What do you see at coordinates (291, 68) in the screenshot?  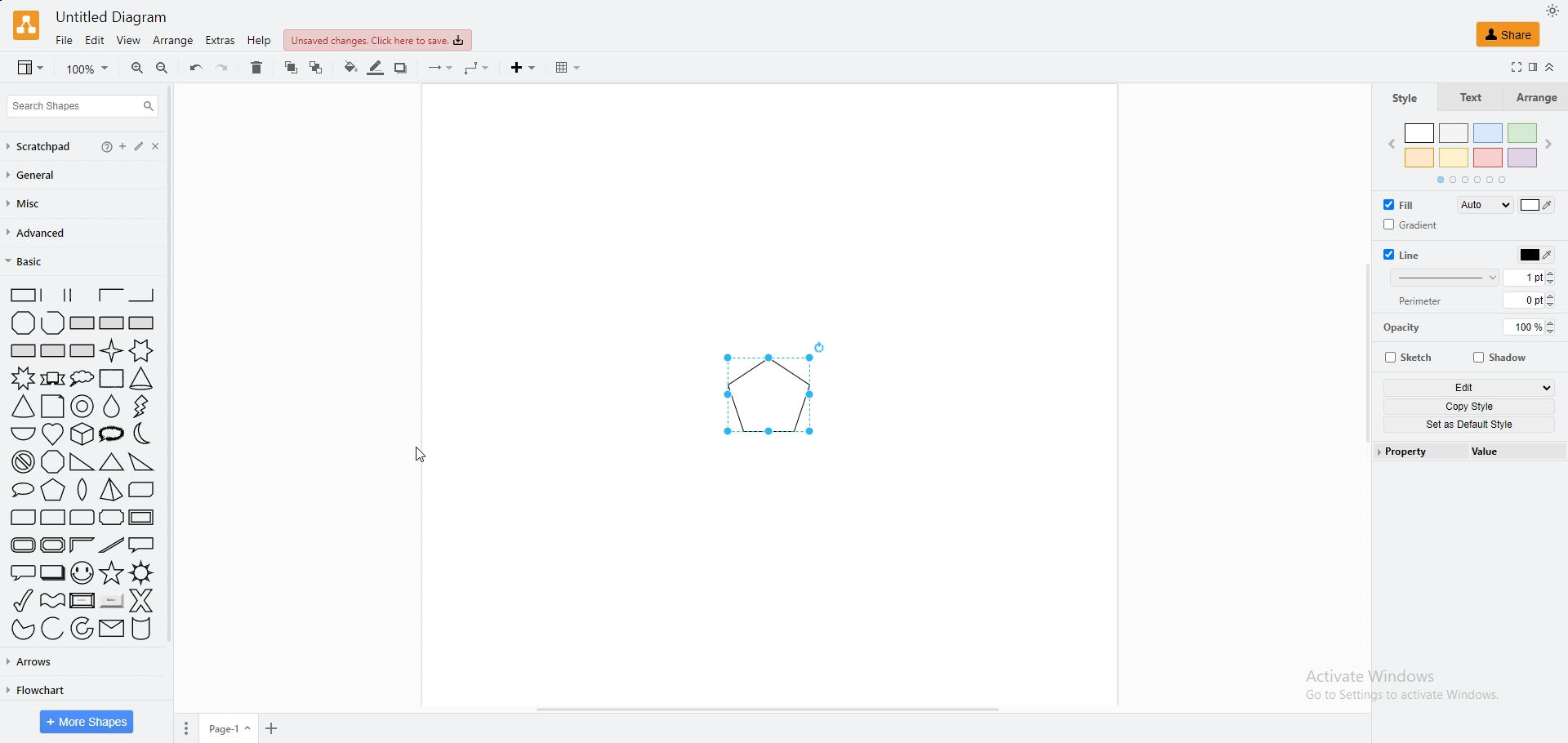 I see `to front` at bounding box center [291, 68].